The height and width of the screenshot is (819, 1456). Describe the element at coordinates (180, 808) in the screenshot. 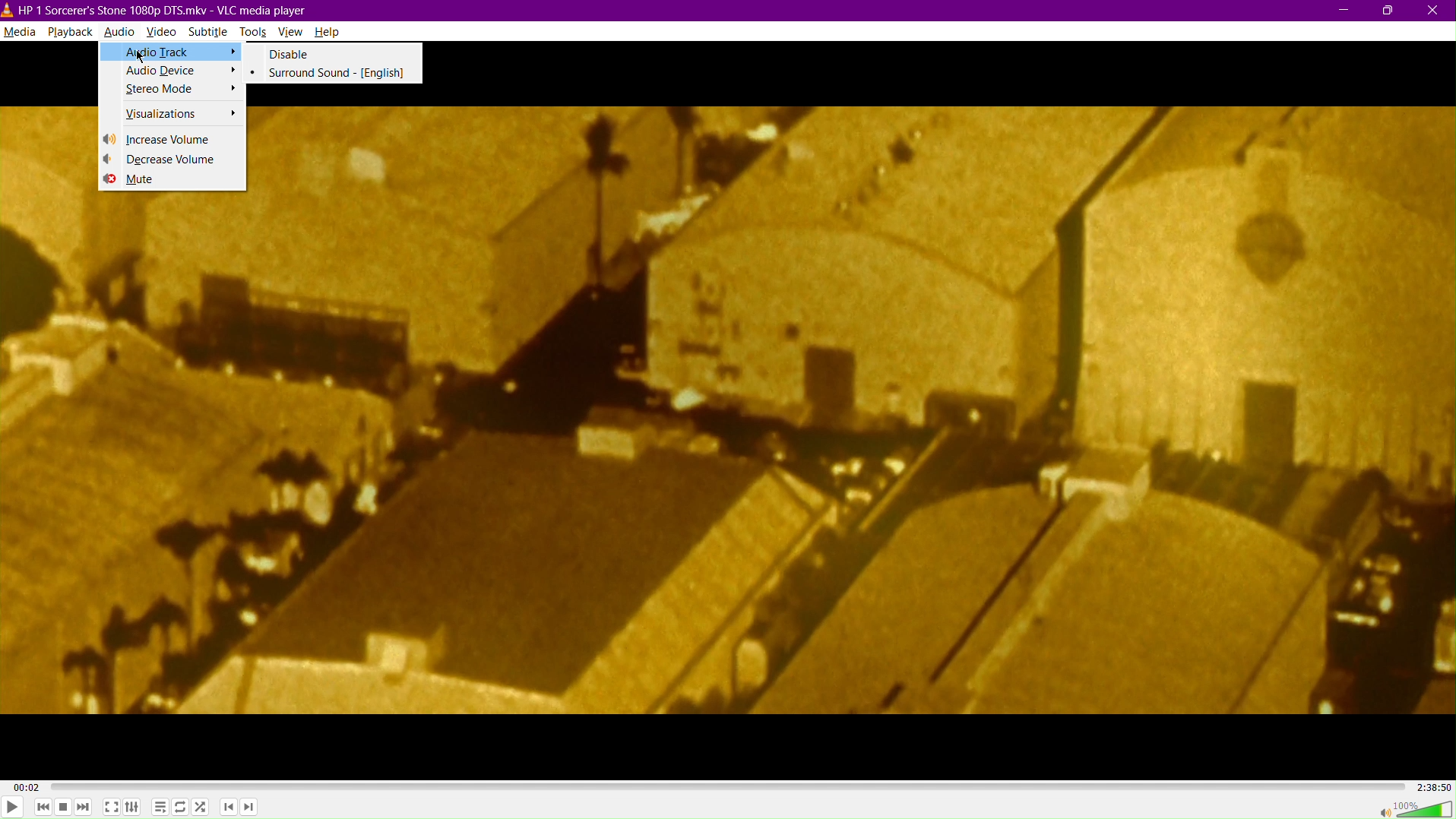

I see `Toggle Loop` at that location.